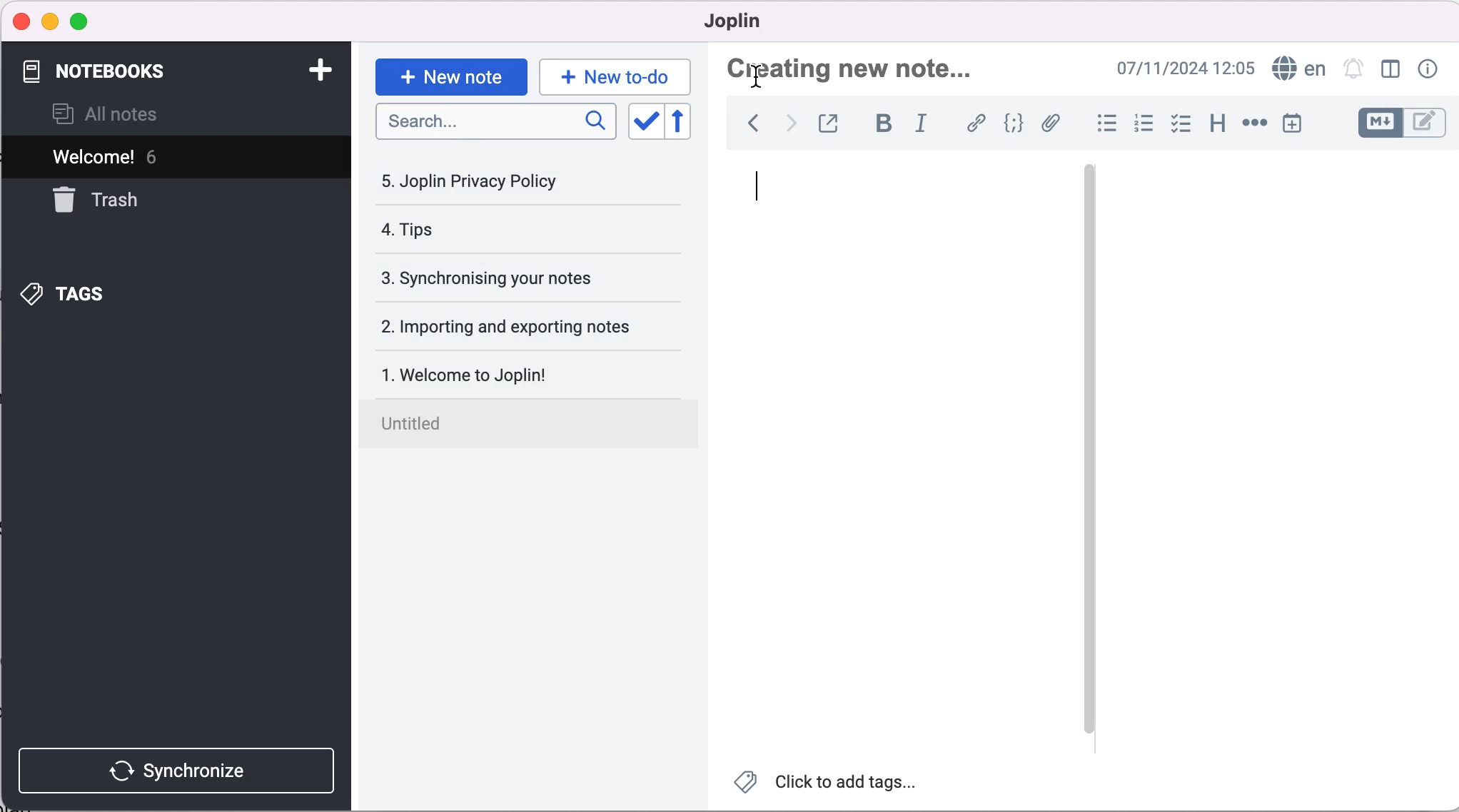  I want to click on toggle editor, so click(1403, 122).